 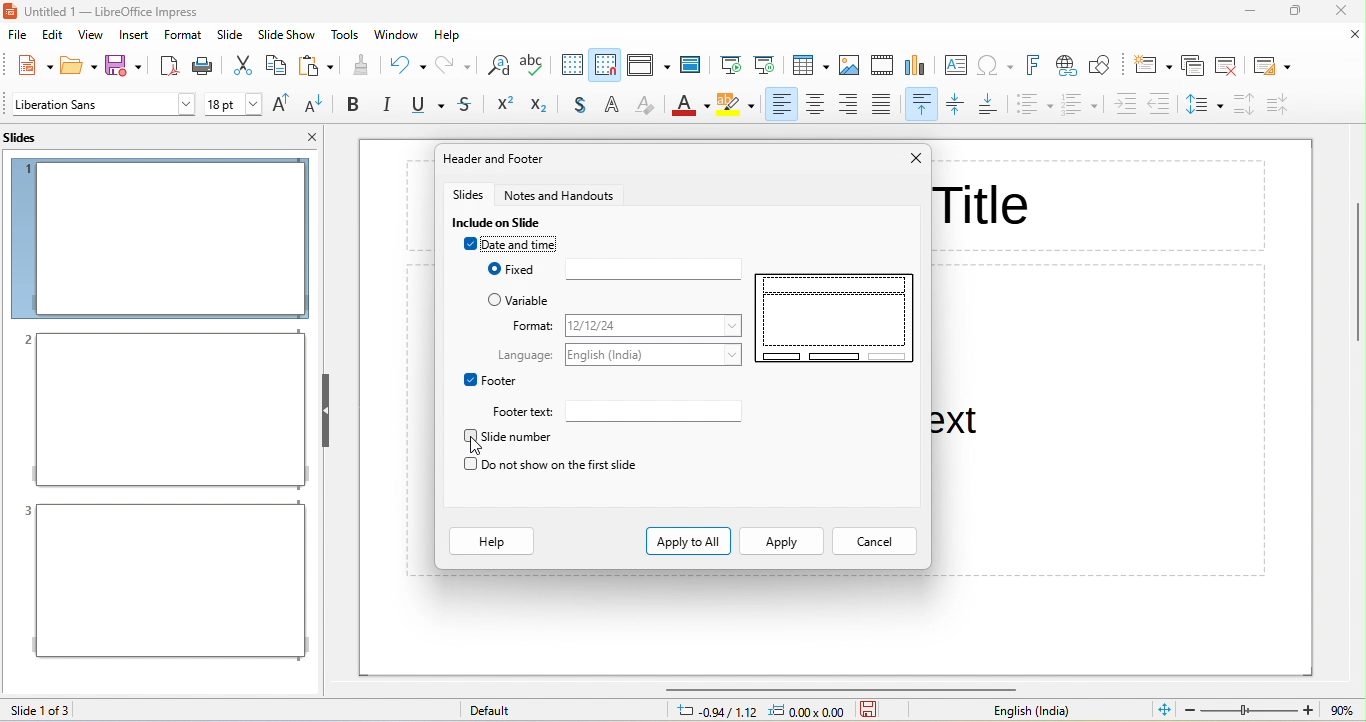 What do you see at coordinates (731, 61) in the screenshot?
I see `first slide ` at bounding box center [731, 61].